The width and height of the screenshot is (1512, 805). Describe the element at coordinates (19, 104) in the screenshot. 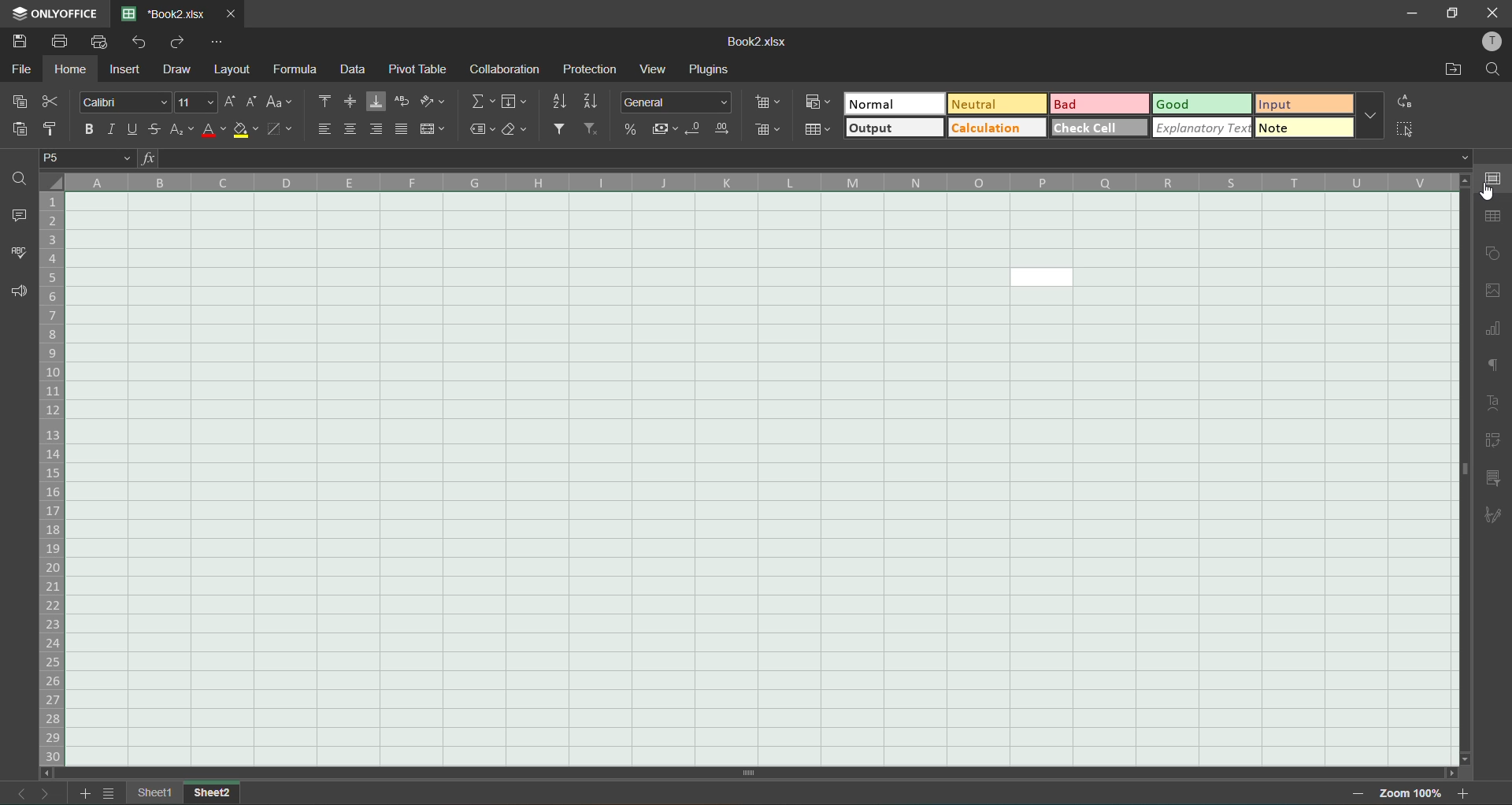

I see `copy` at that location.